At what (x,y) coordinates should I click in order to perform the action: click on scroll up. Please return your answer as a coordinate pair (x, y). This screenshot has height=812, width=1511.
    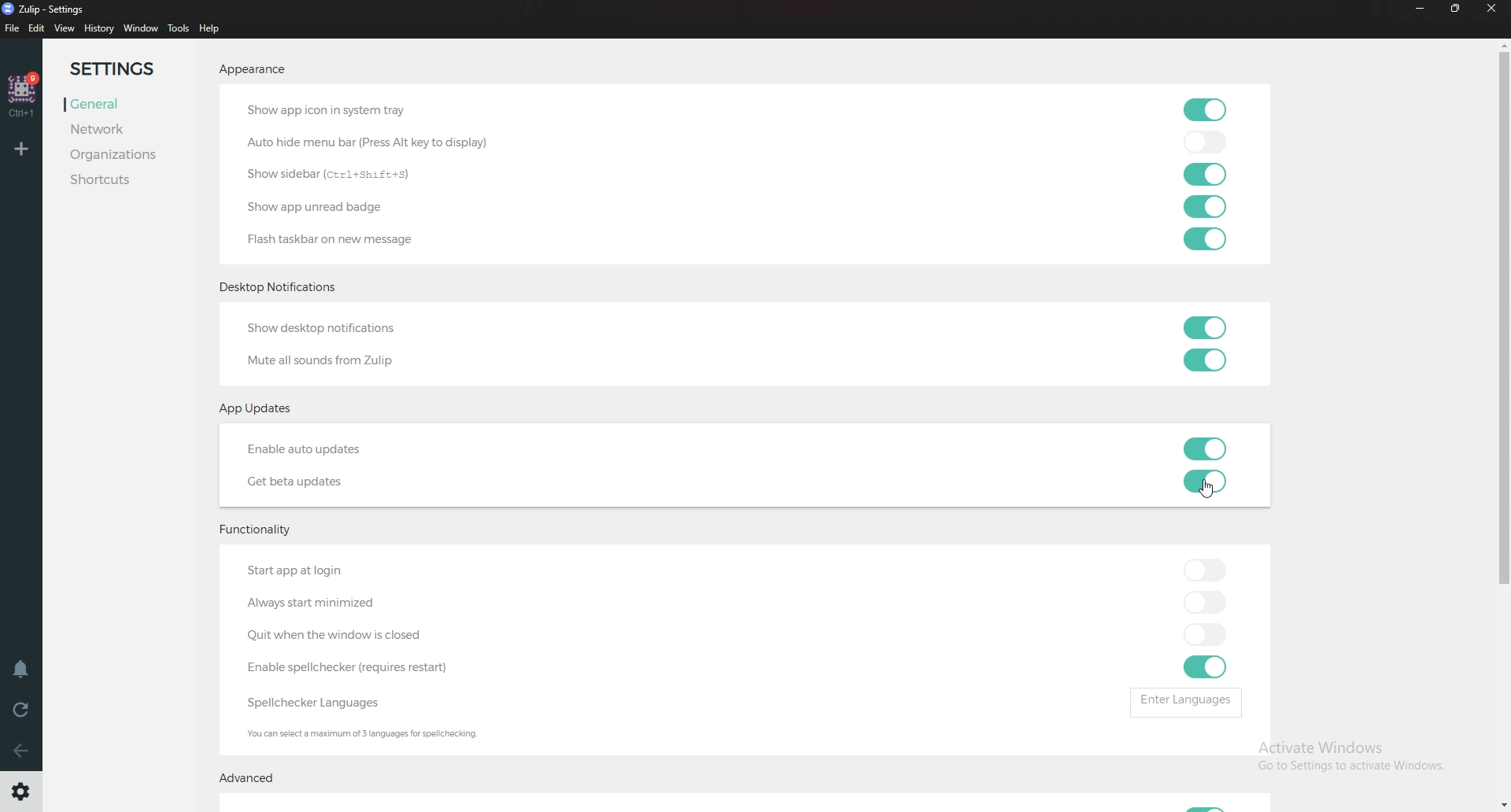
    Looking at the image, I should click on (1502, 45).